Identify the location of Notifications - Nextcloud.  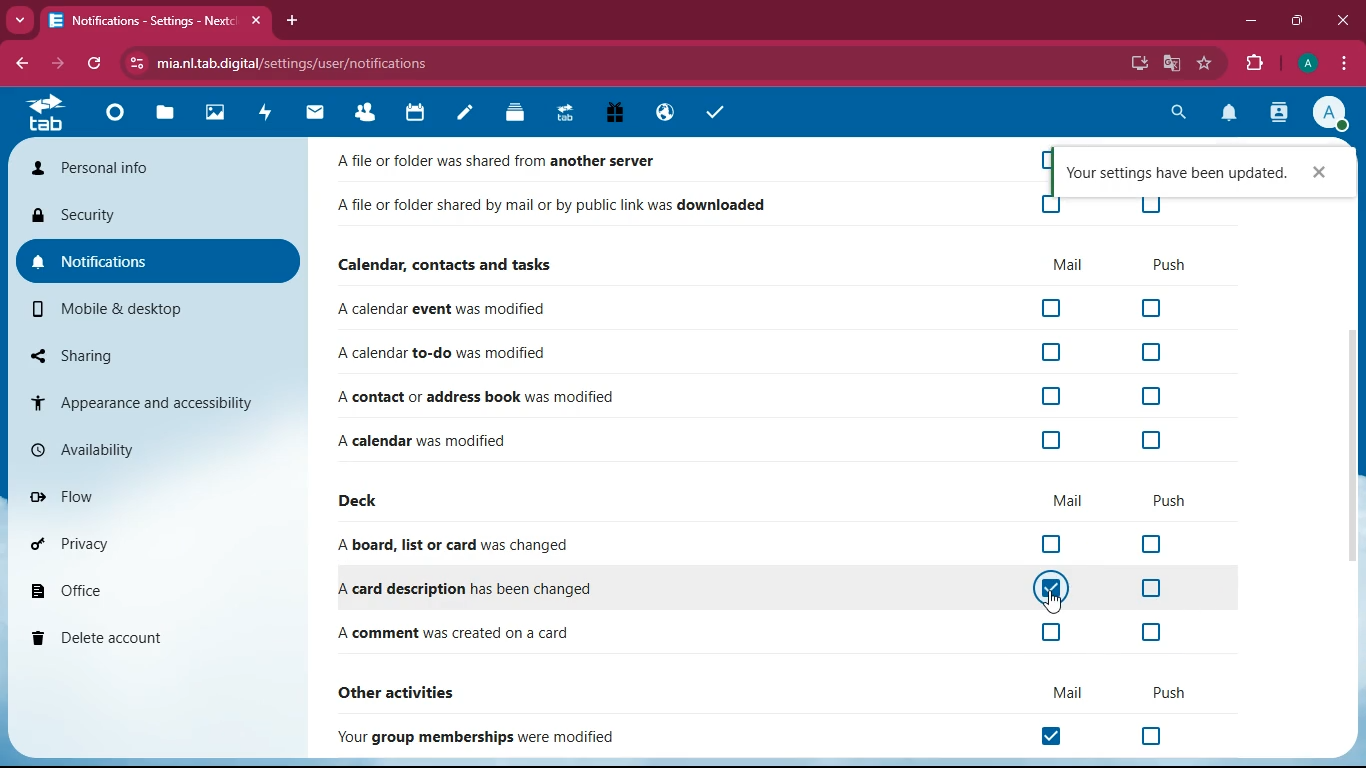
(138, 21).